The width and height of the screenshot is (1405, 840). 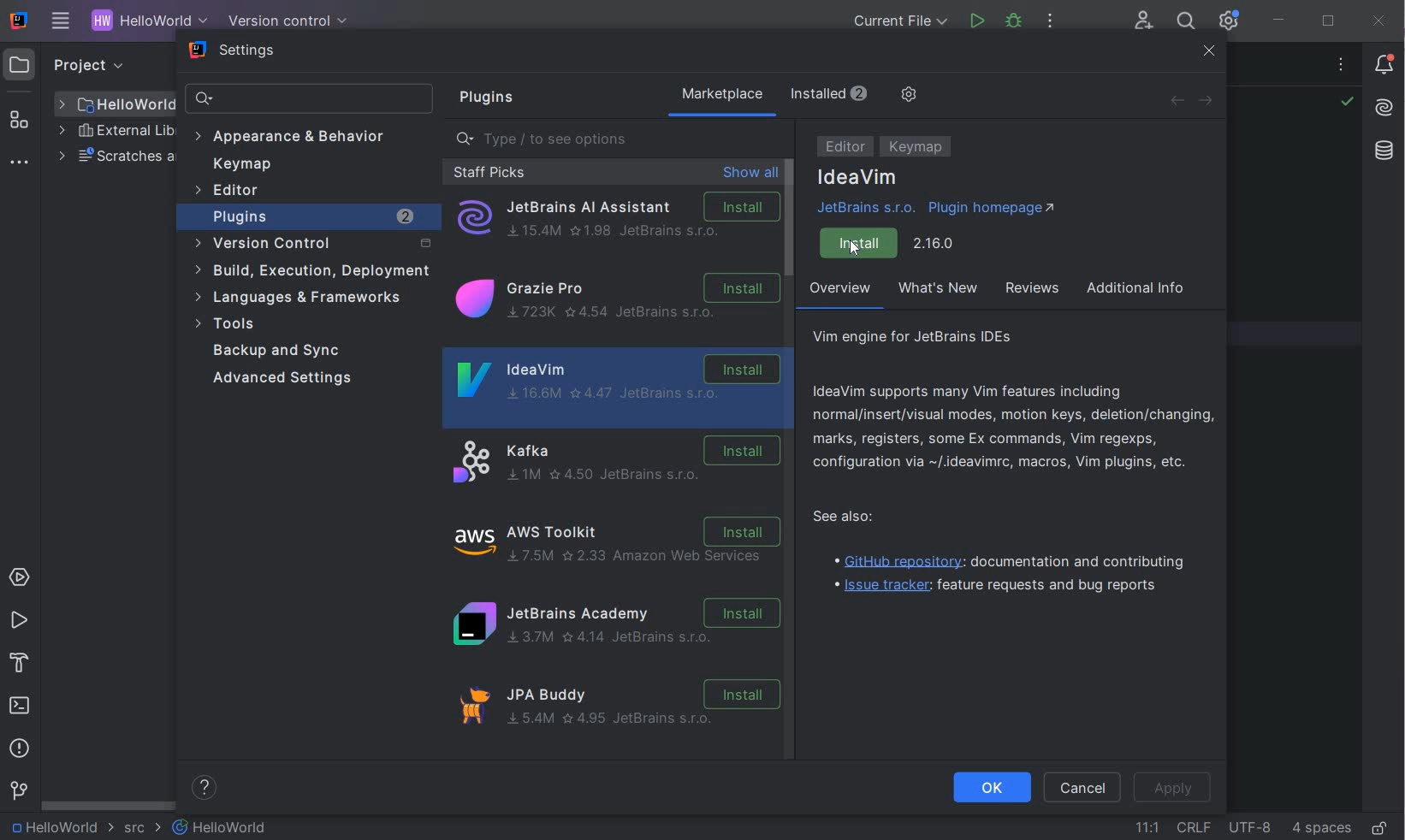 I want to click on database, so click(x=1383, y=153).